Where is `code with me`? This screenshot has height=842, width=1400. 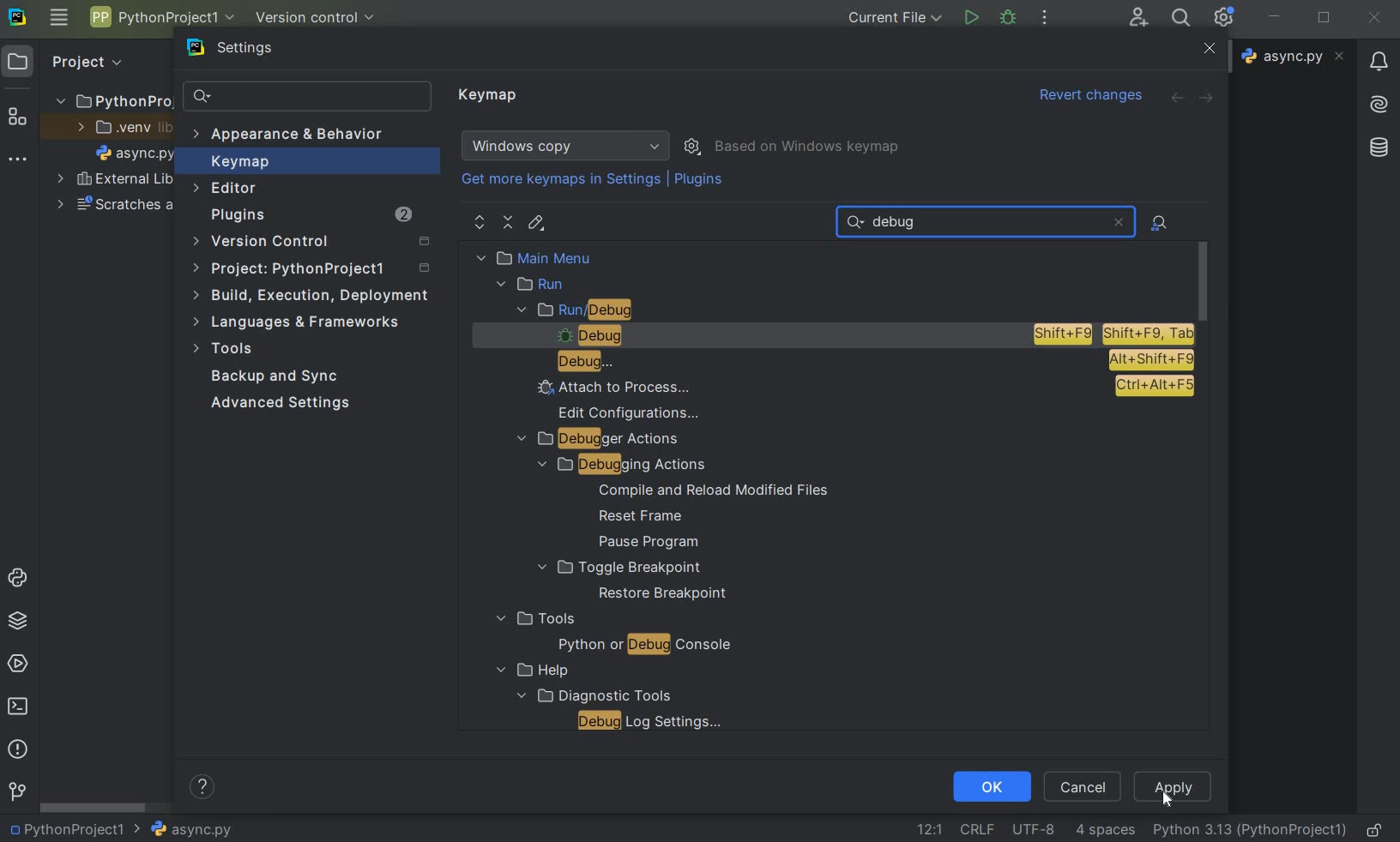
code with me is located at coordinates (1138, 16).